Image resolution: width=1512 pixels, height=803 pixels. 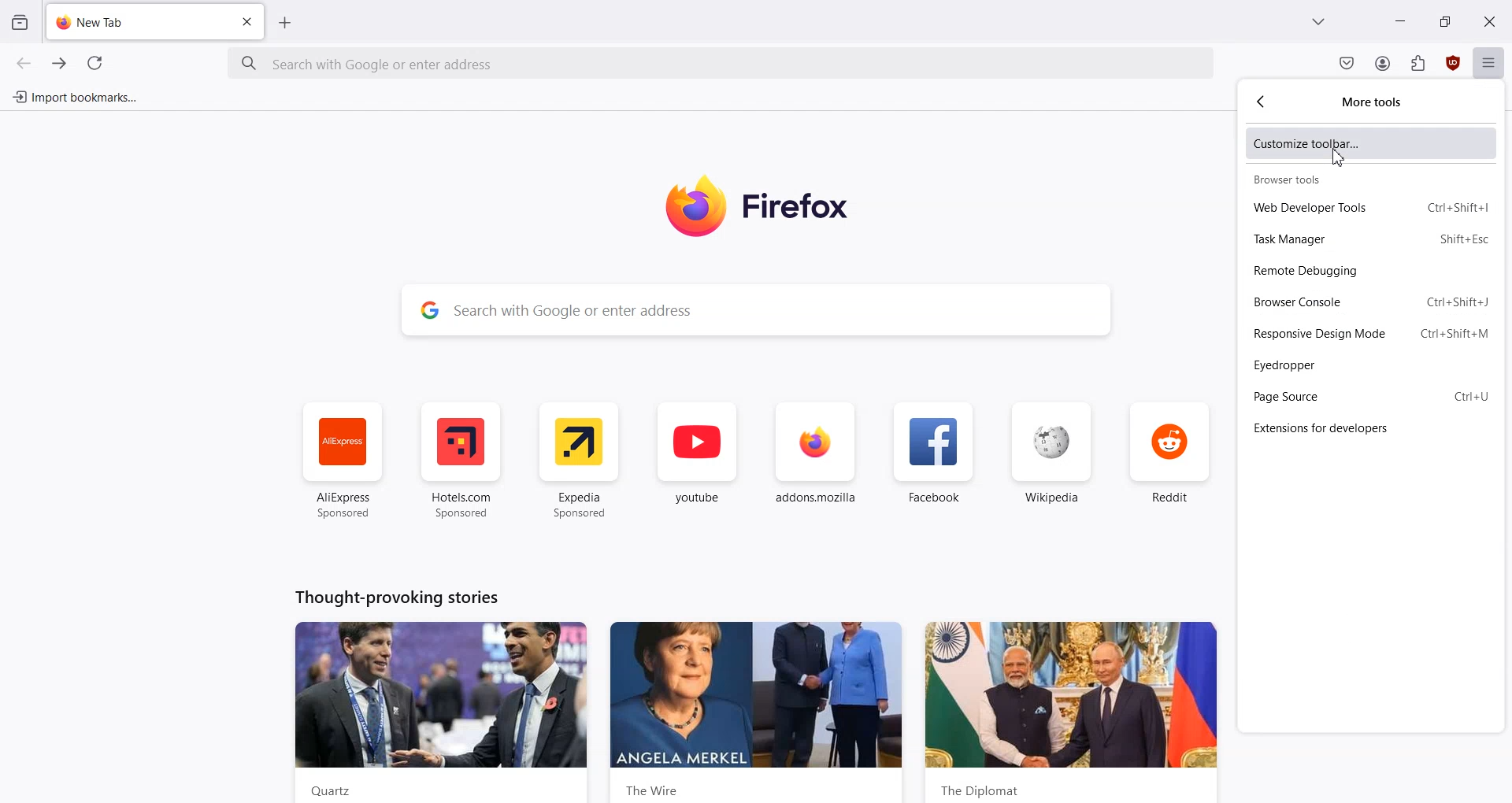 I want to click on Save to Pocket, so click(x=1346, y=63).